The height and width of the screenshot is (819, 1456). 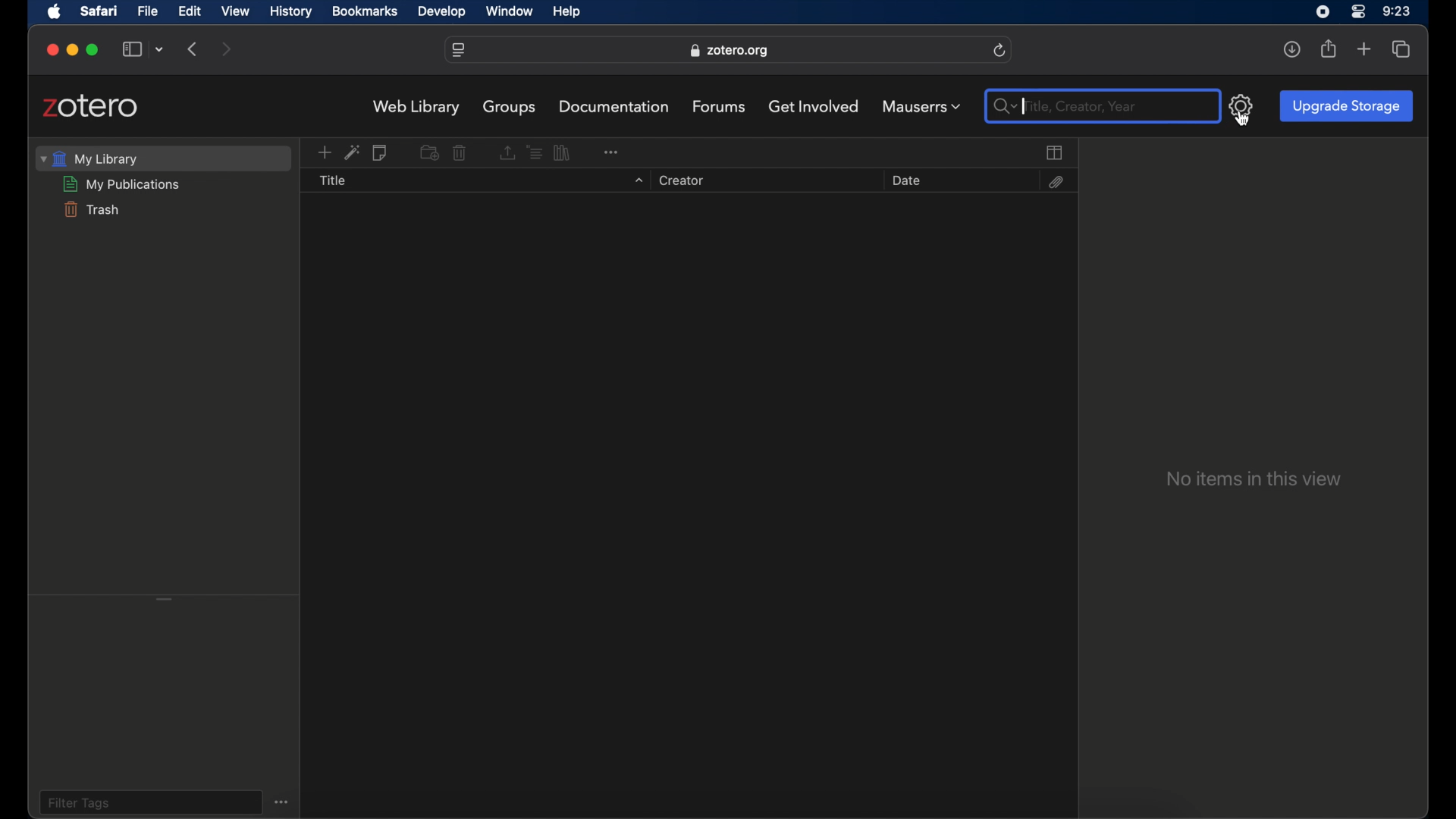 What do you see at coordinates (459, 51) in the screenshot?
I see `web address` at bounding box center [459, 51].